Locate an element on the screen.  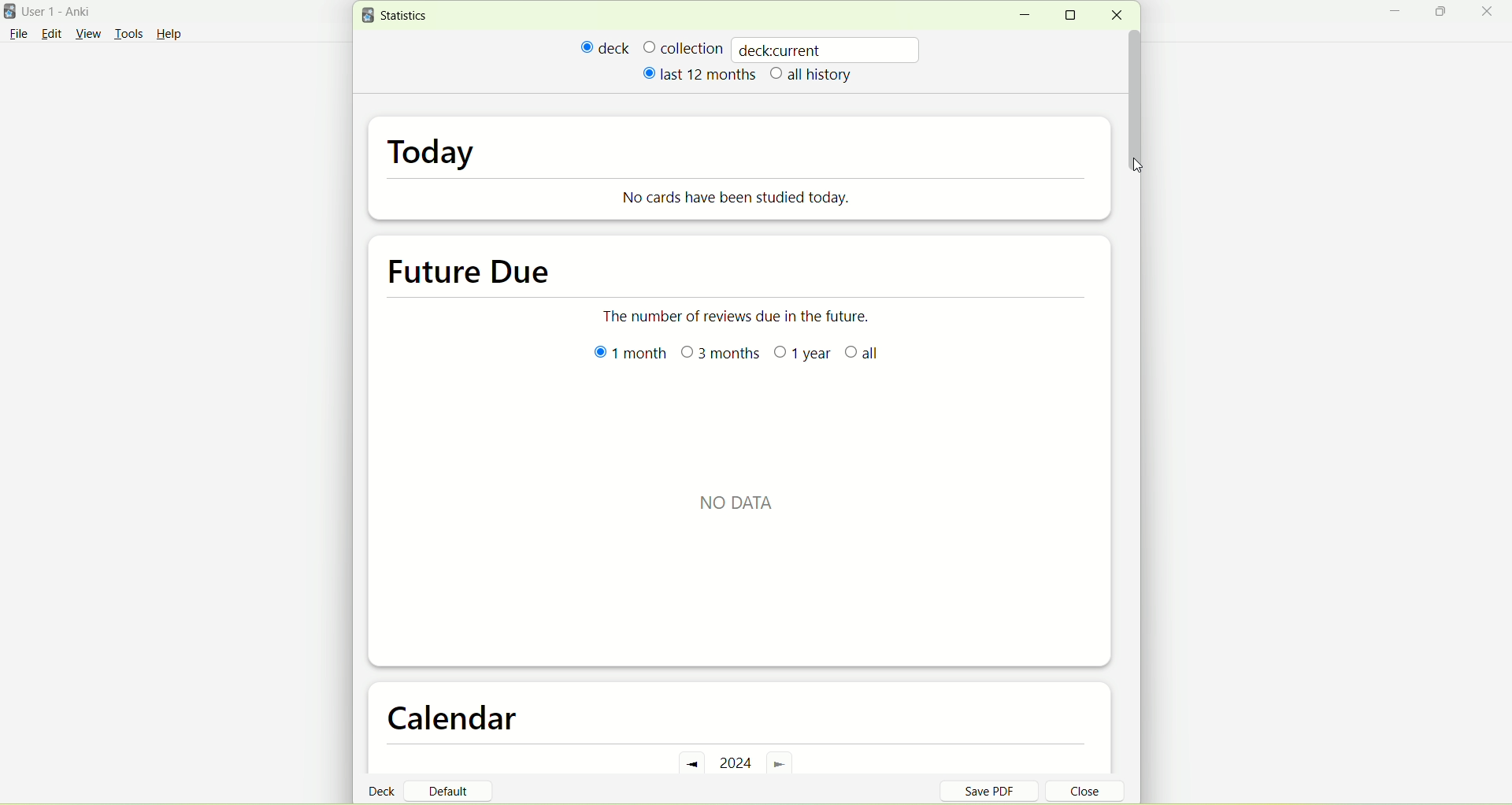
statistics is located at coordinates (398, 16).